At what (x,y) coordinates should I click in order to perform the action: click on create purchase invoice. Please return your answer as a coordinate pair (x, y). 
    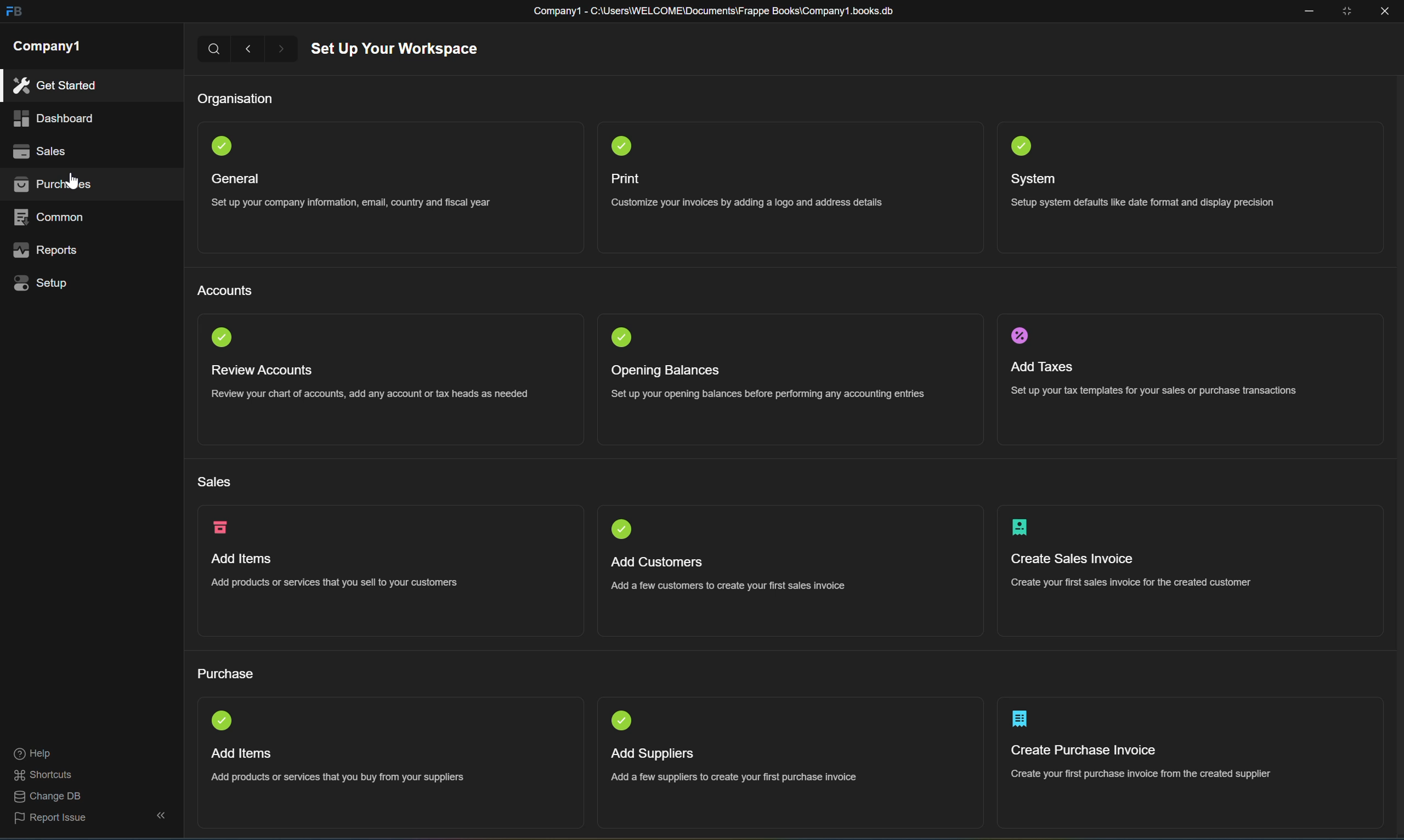
    Looking at the image, I should click on (1088, 751).